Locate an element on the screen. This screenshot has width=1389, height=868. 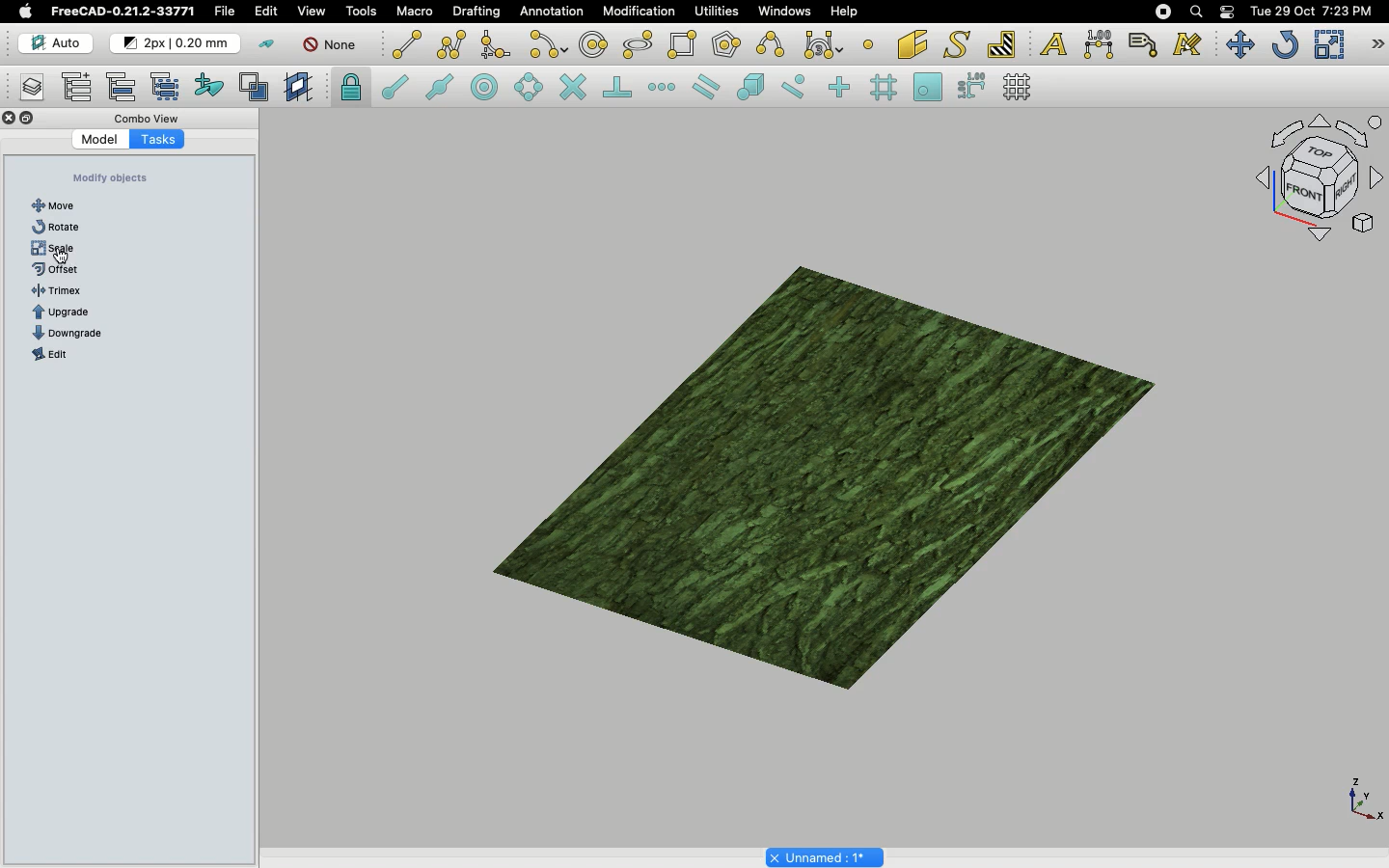
Recording is located at coordinates (1162, 11).